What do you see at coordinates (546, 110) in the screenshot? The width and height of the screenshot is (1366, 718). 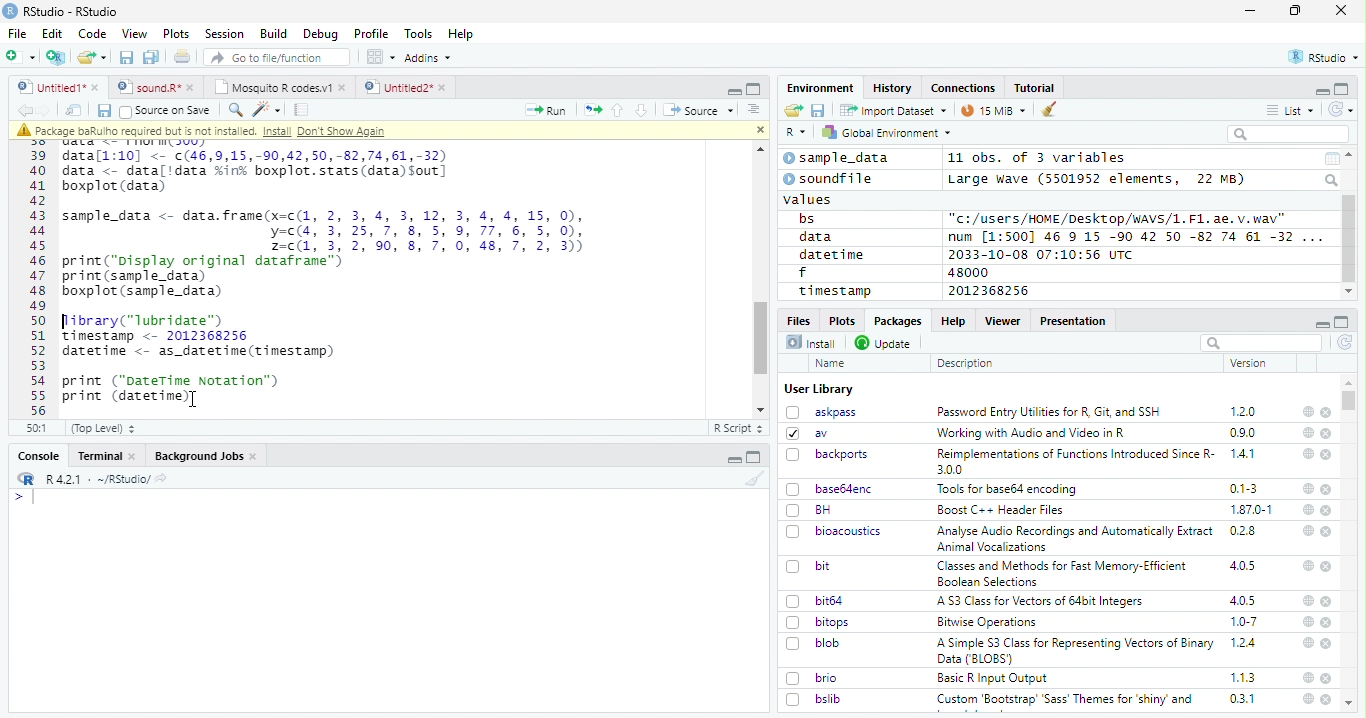 I see `Run the current line` at bounding box center [546, 110].